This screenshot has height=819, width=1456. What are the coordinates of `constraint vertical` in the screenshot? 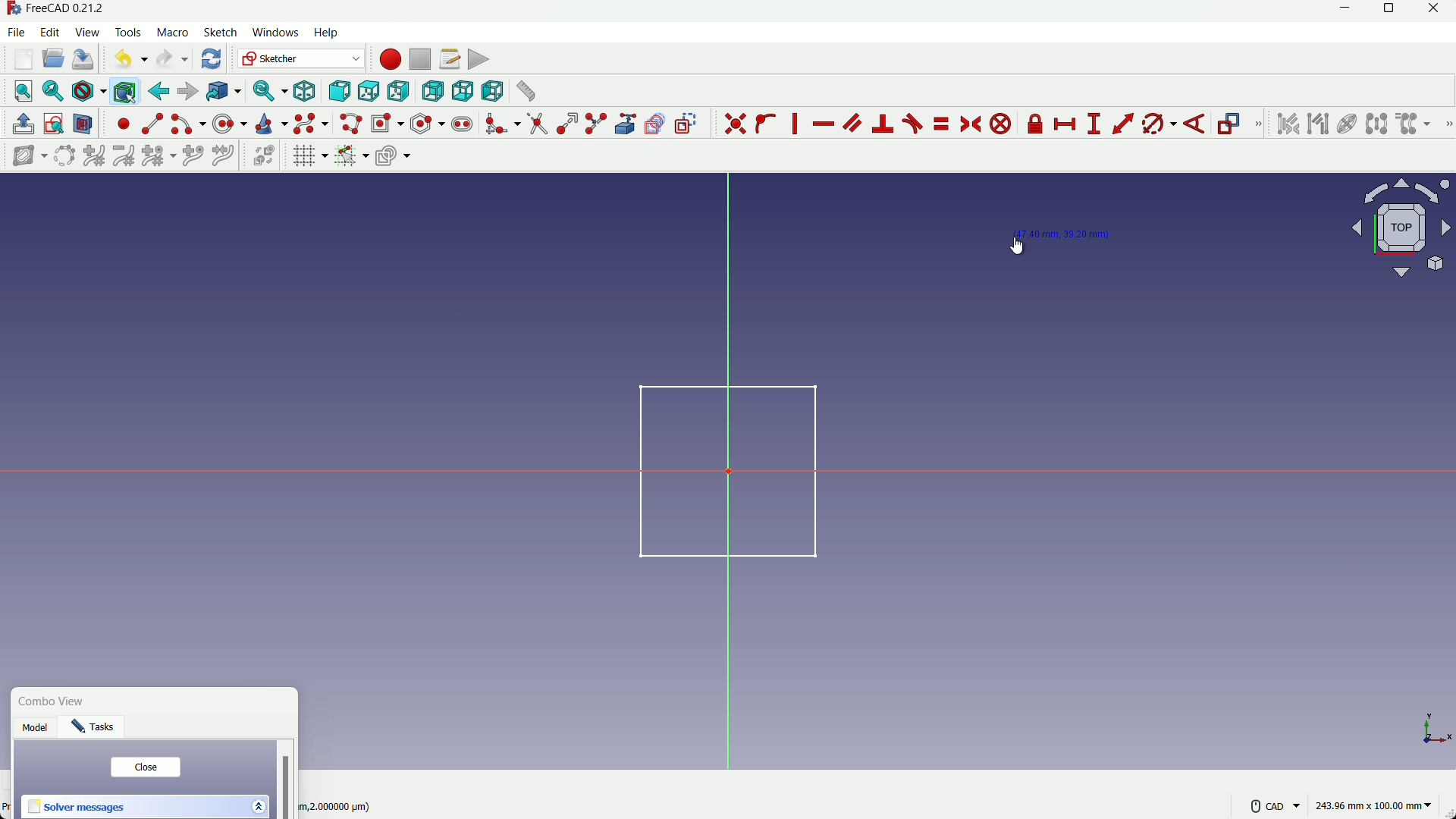 It's located at (798, 124).